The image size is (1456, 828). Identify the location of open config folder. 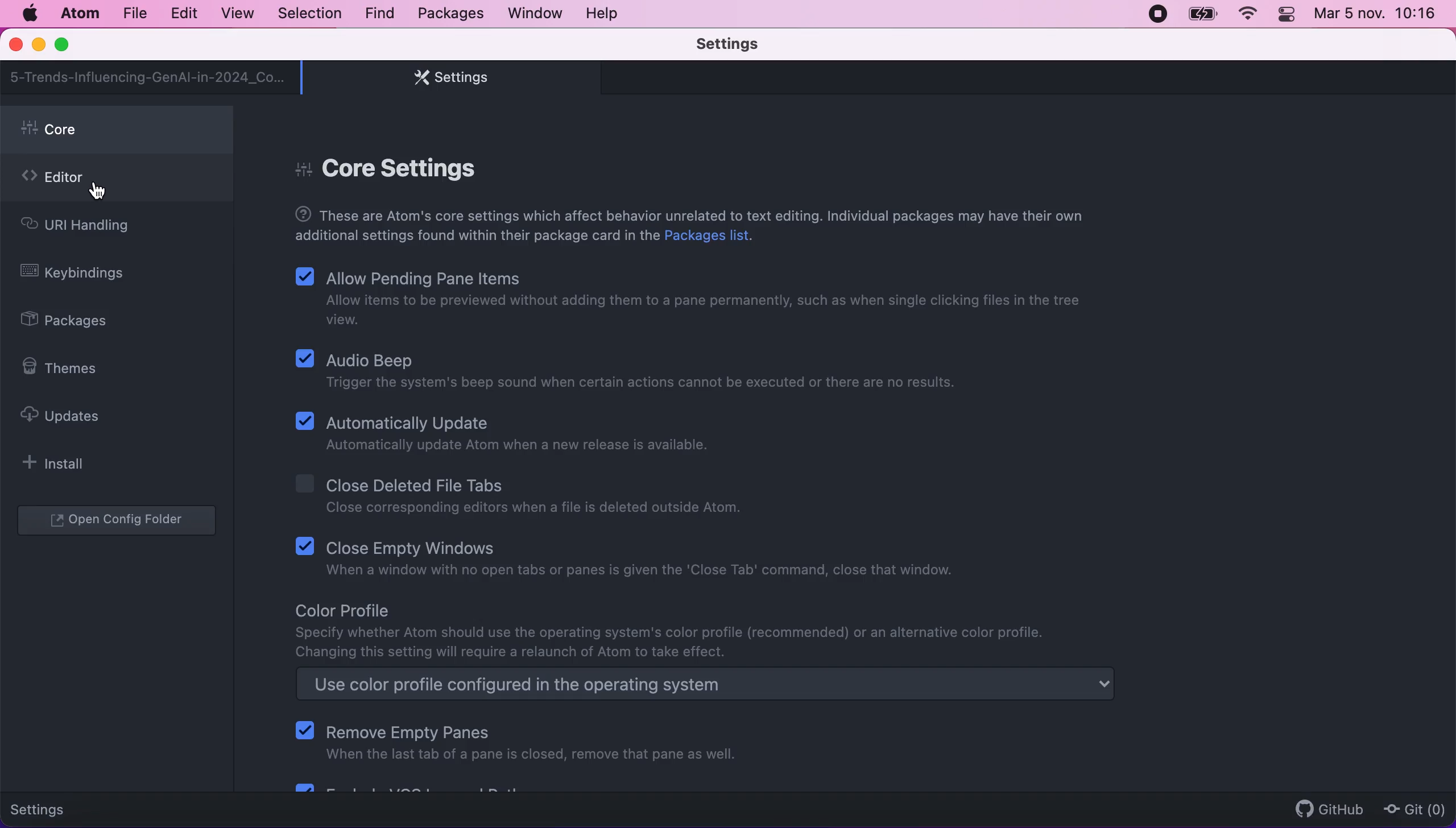
(119, 521).